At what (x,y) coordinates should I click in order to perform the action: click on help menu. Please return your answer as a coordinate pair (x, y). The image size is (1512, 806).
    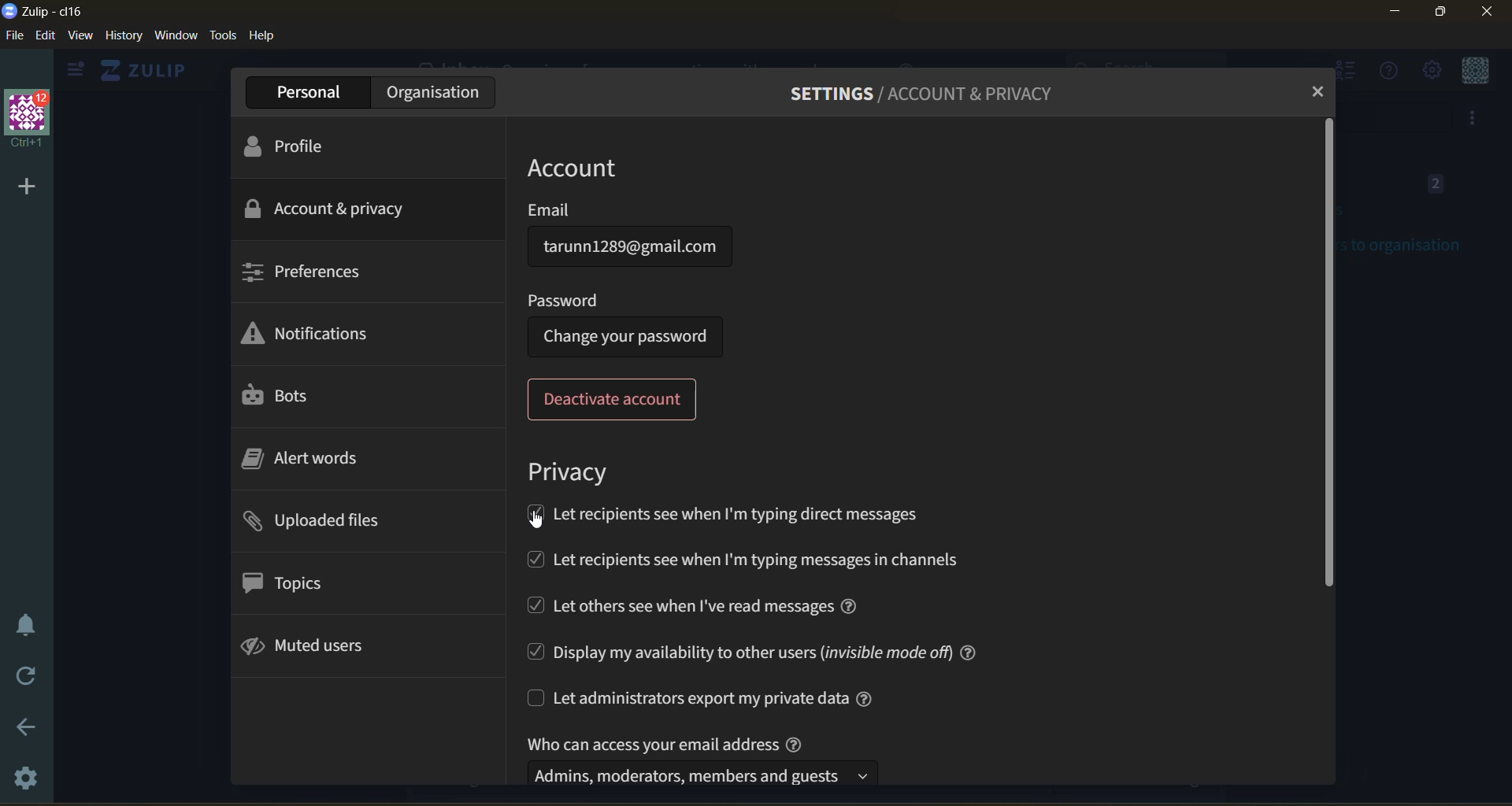
    Looking at the image, I should click on (1385, 72).